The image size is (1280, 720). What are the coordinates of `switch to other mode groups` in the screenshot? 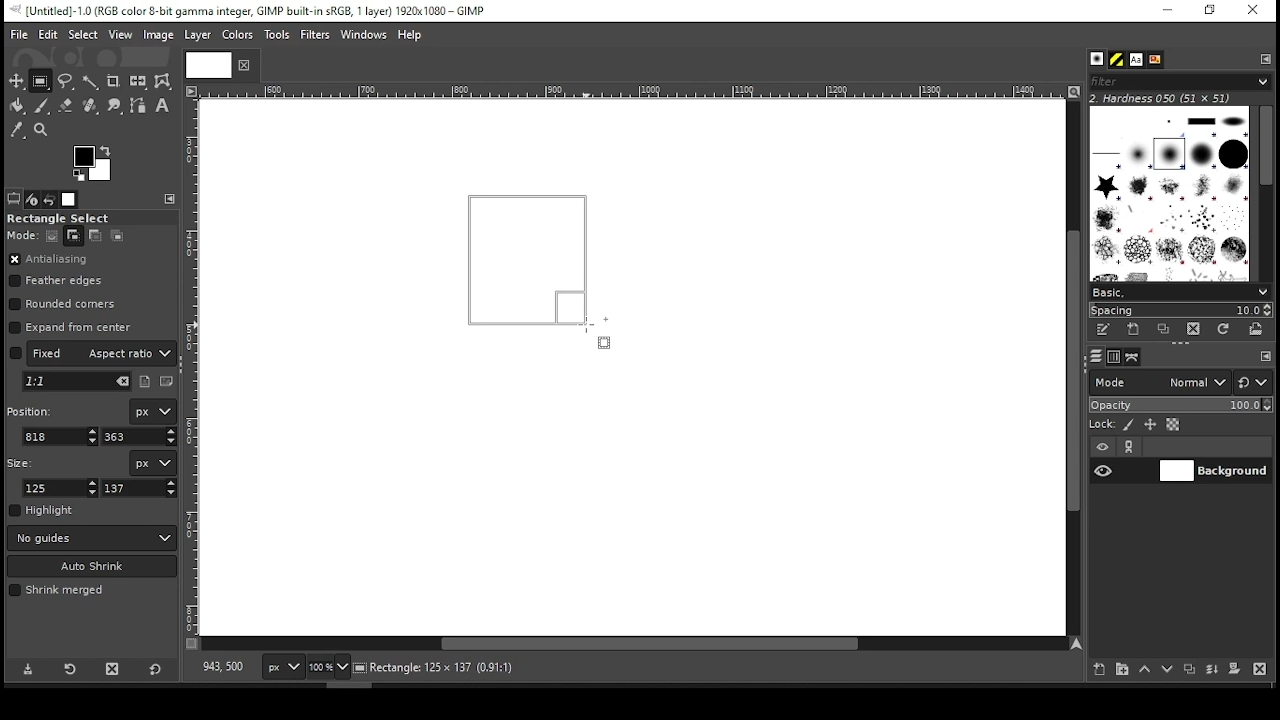 It's located at (1252, 384).